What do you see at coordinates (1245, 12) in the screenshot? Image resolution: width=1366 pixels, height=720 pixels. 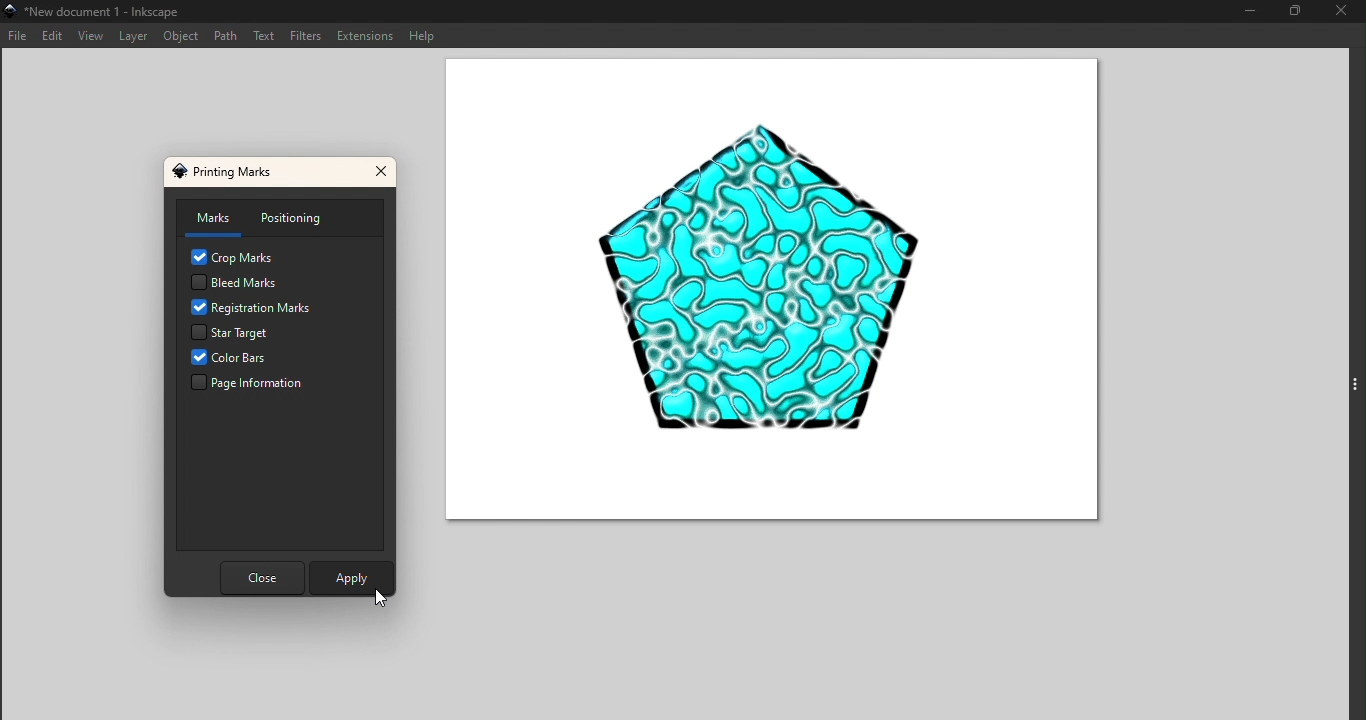 I see `Minimize` at bounding box center [1245, 12].